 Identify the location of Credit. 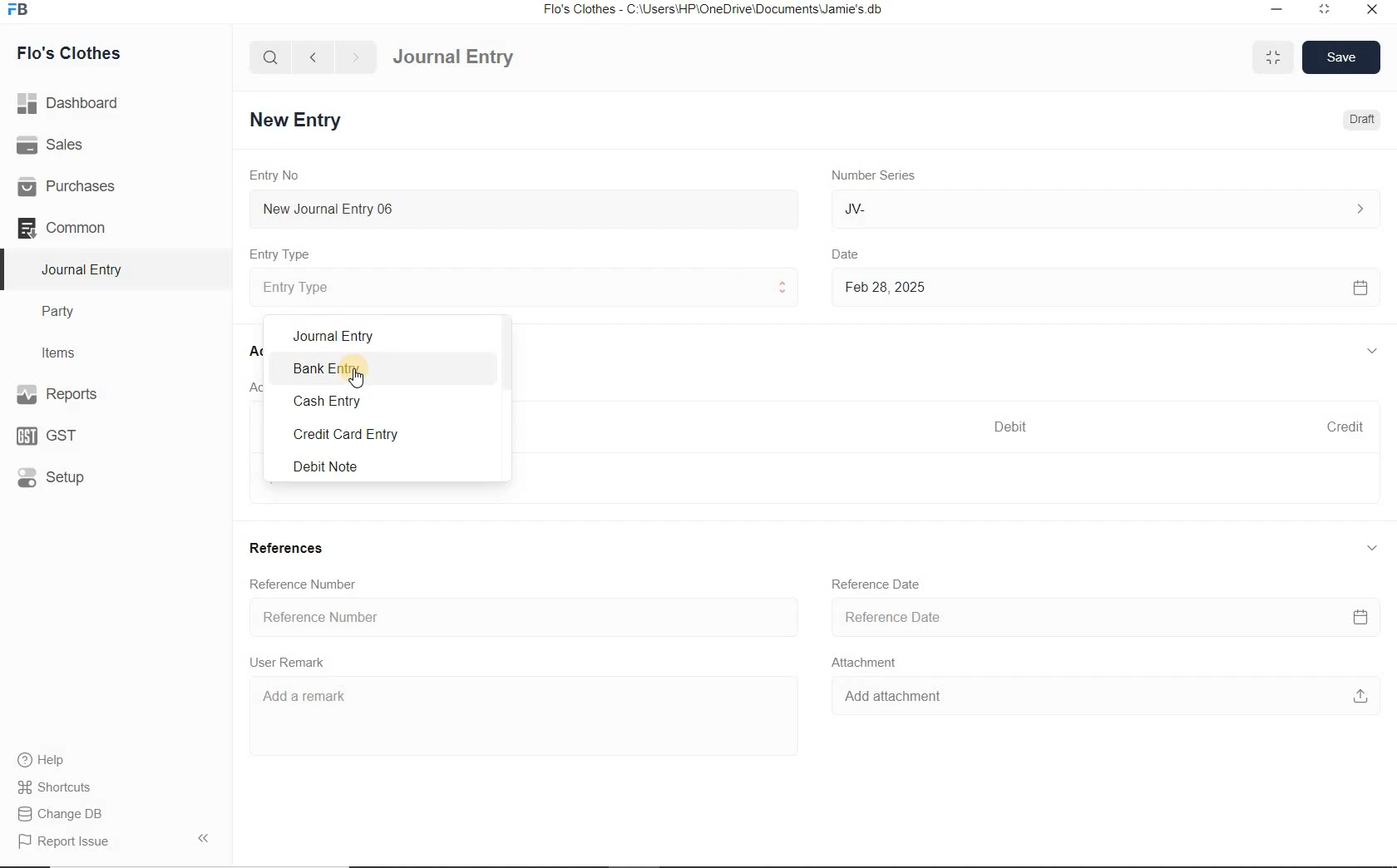
(1346, 427).